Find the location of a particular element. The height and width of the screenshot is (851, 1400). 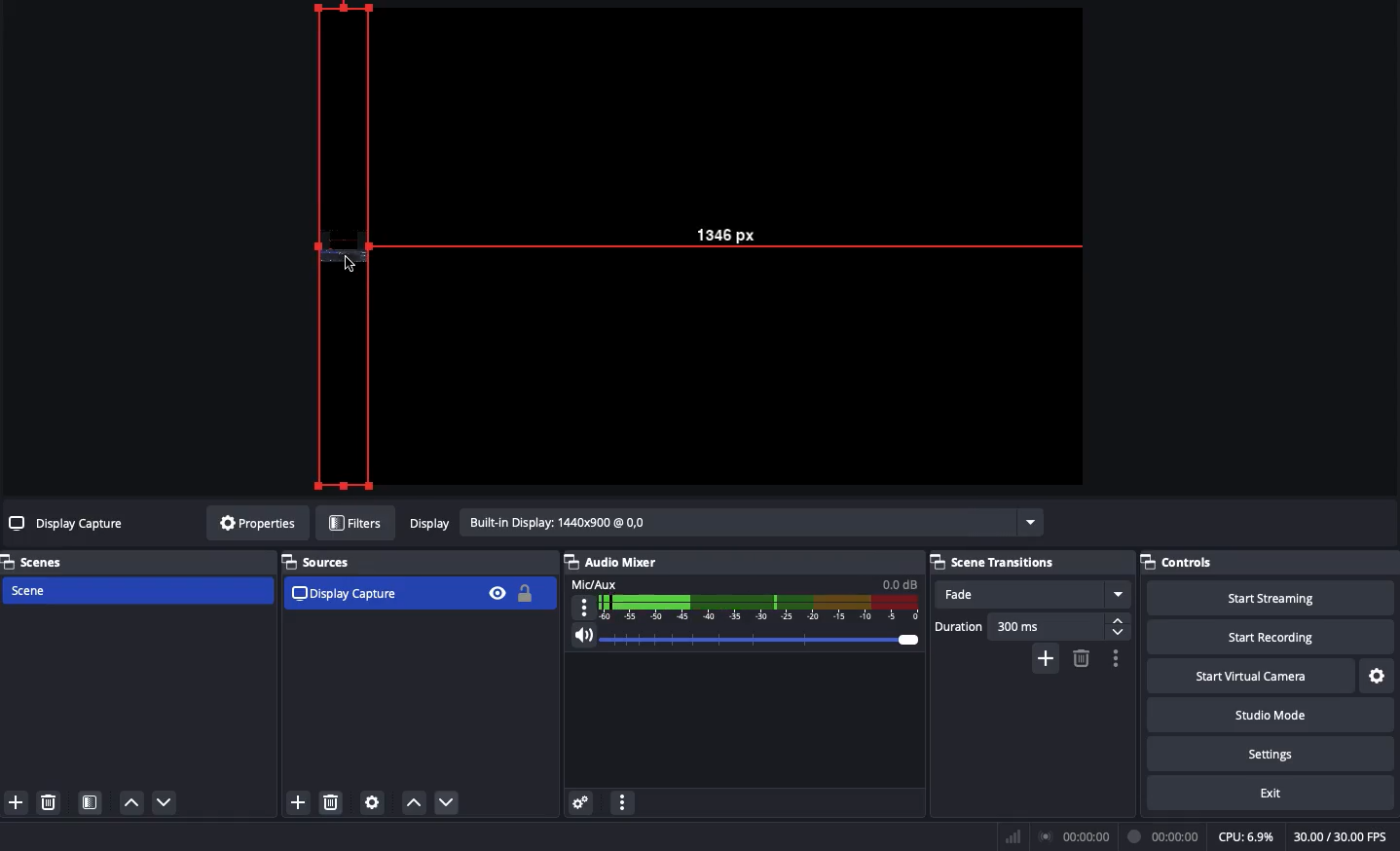

Duration is located at coordinates (1032, 629).